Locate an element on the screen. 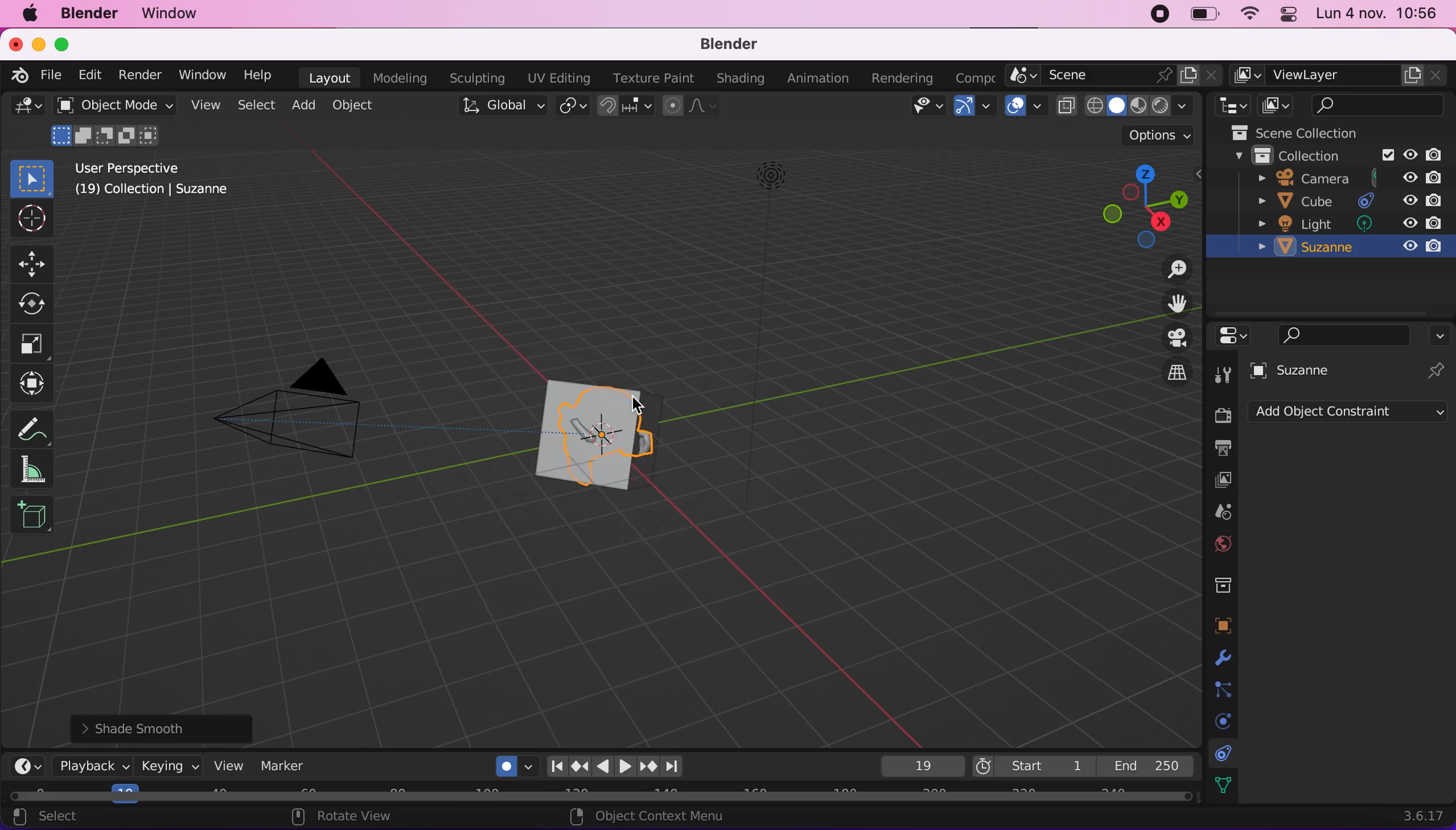 The image size is (1456, 830). render is located at coordinates (141, 76).